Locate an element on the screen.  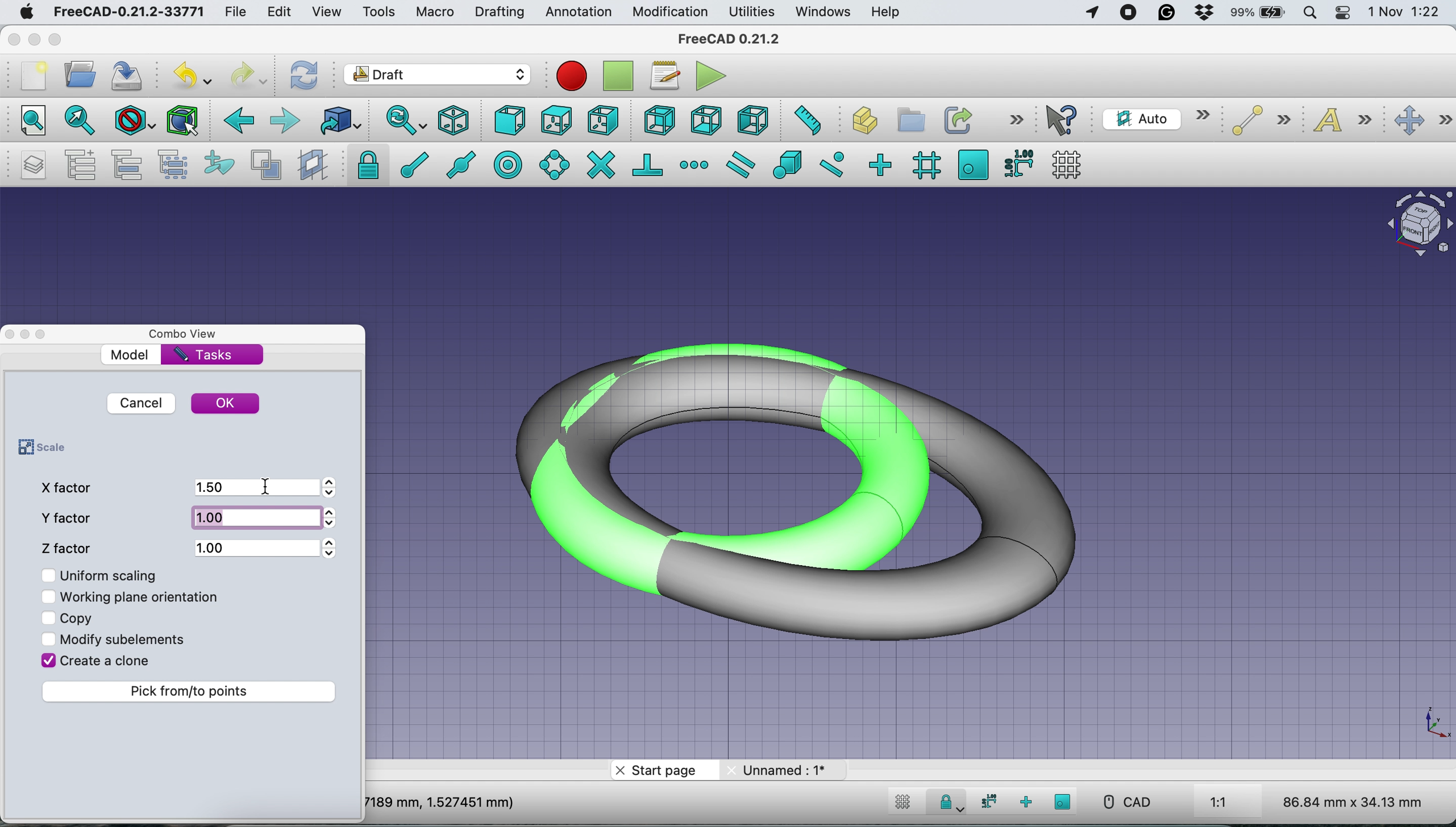
tools is located at coordinates (375, 11).